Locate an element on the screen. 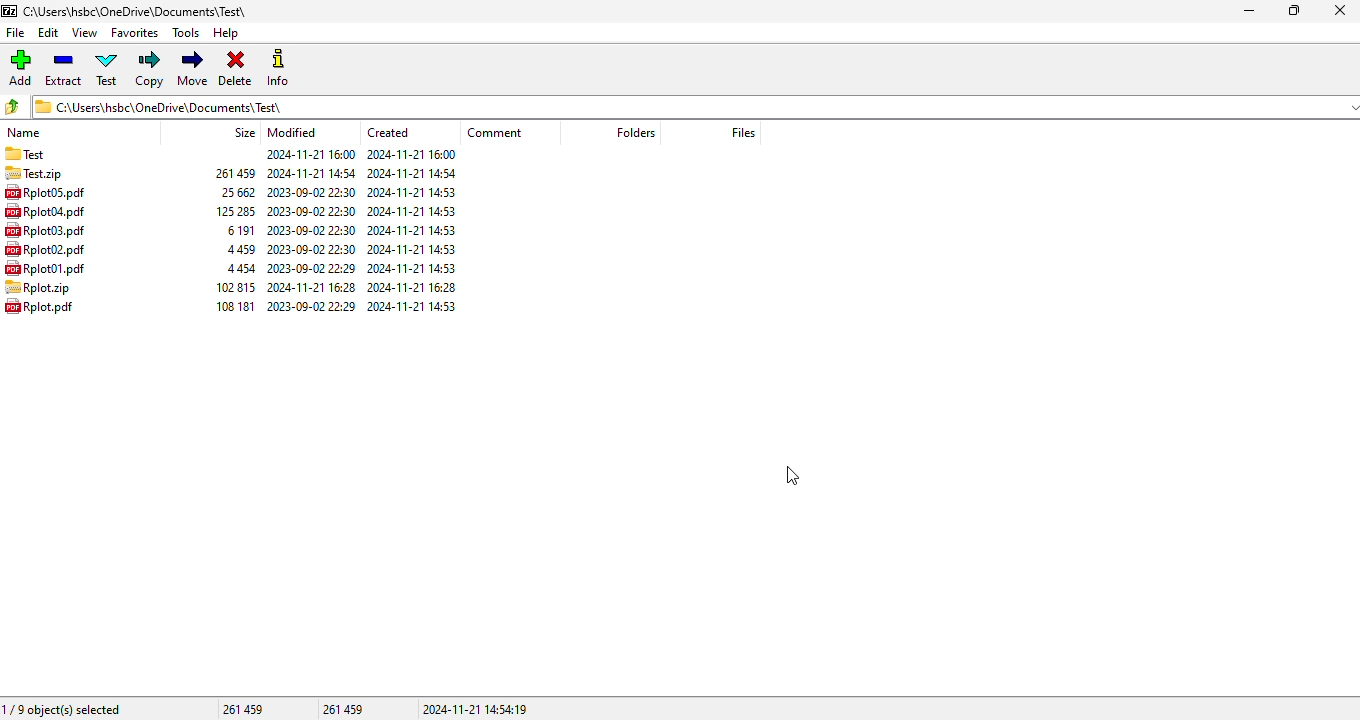  cursor is located at coordinates (792, 476).